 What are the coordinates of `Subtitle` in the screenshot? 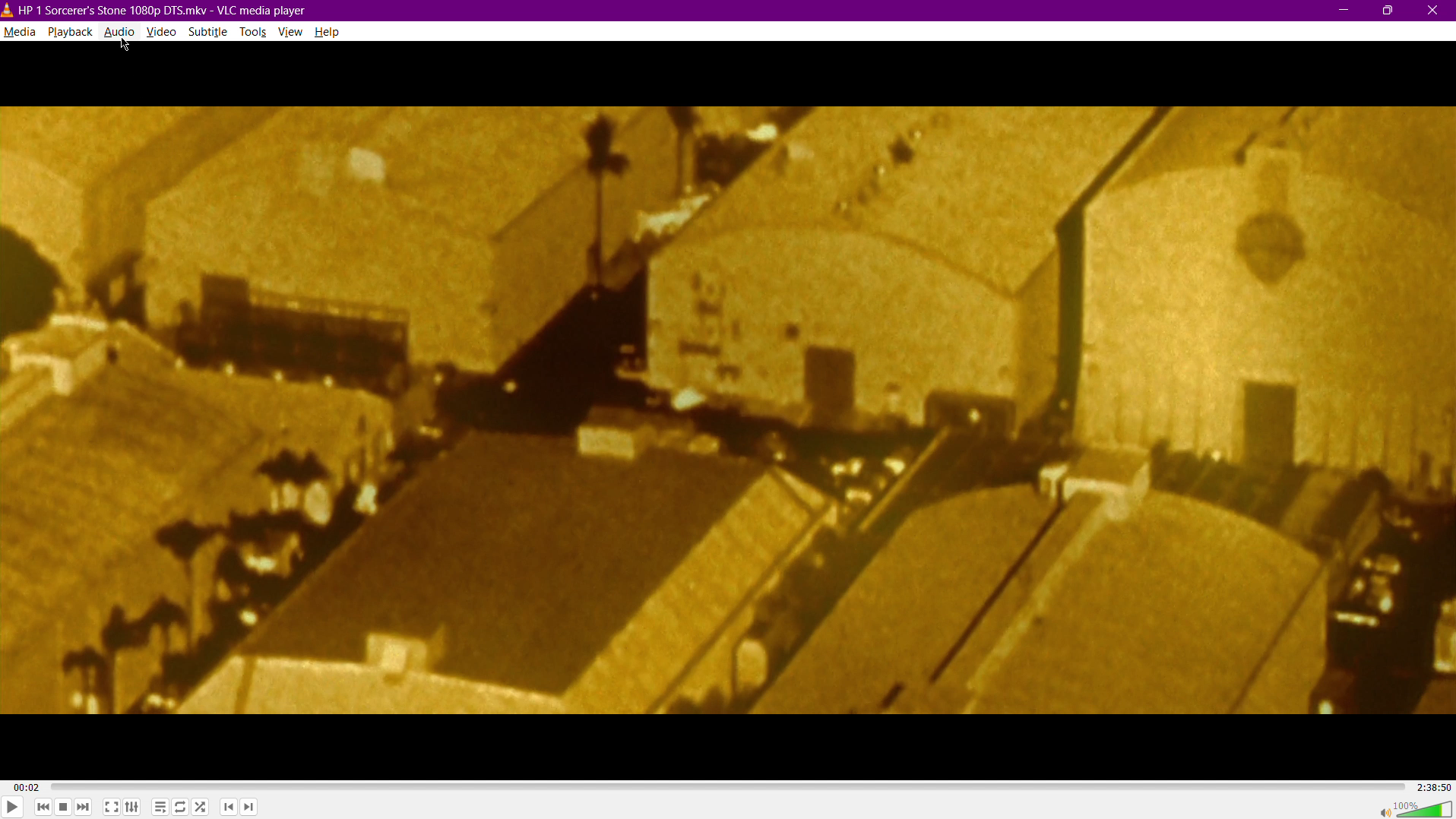 It's located at (210, 33).